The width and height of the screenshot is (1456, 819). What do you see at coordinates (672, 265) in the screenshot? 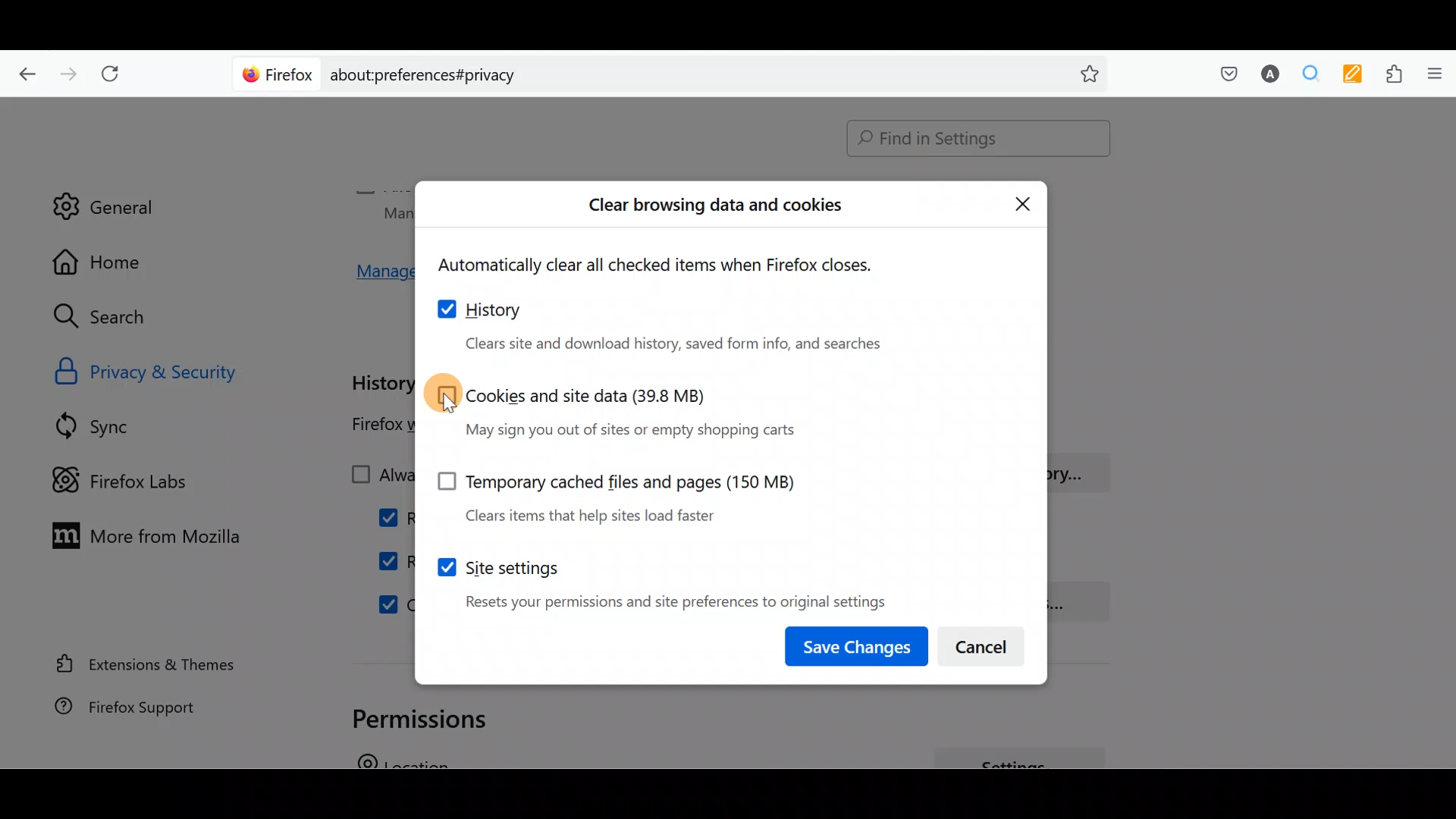
I see `Automatically clear all checked items when Firefox closes` at bounding box center [672, 265].